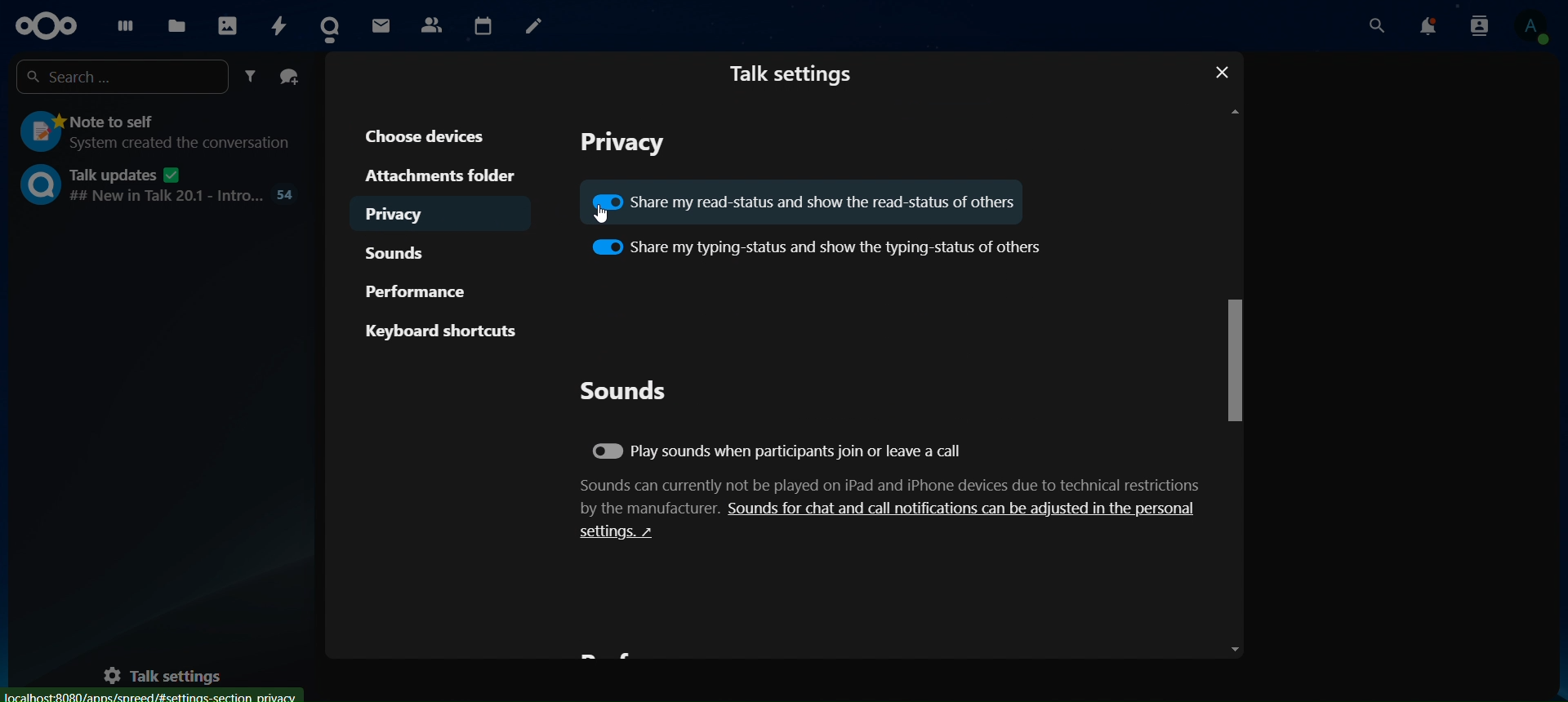 Image resolution: width=1568 pixels, height=702 pixels. What do you see at coordinates (406, 251) in the screenshot?
I see `sounds` at bounding box center [406, 251].